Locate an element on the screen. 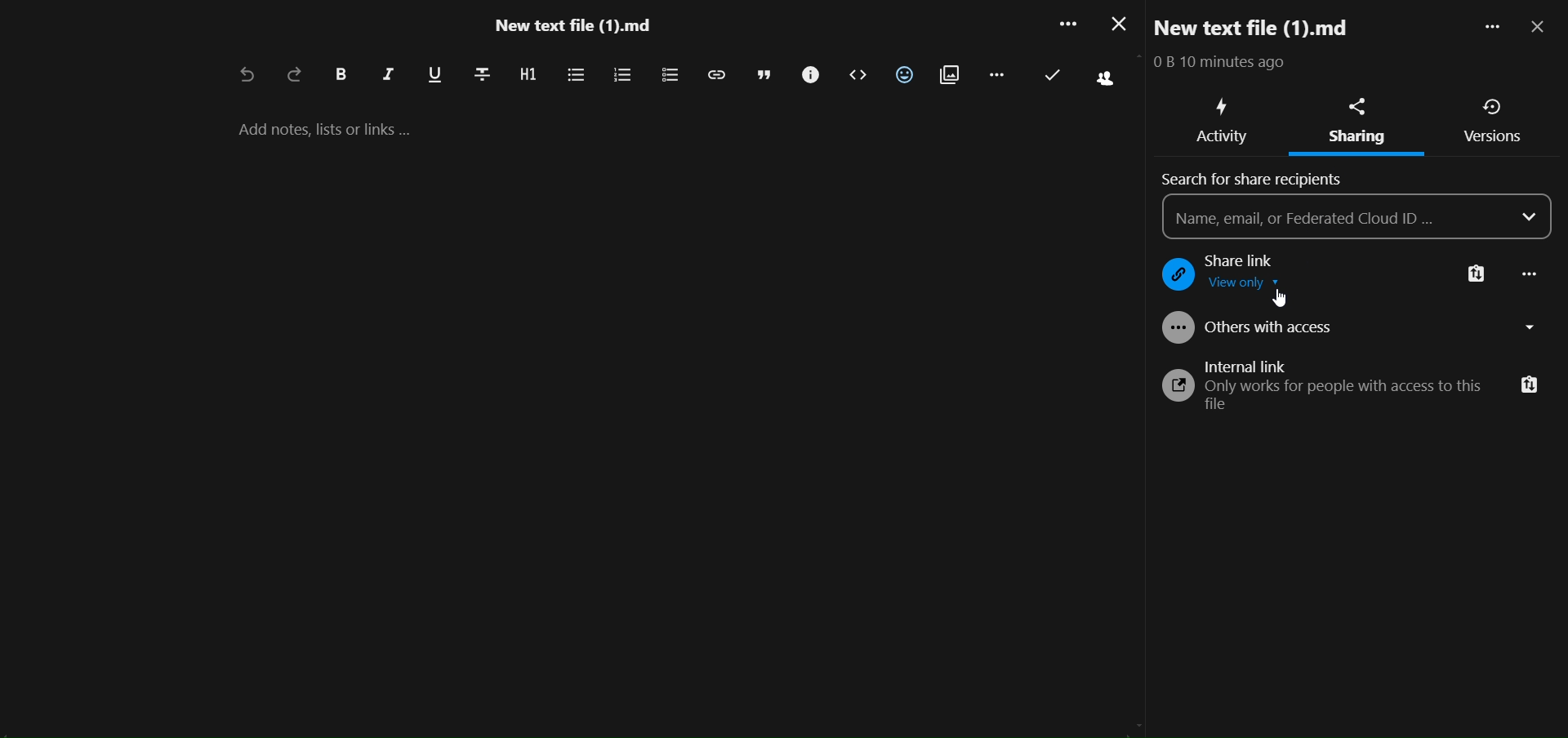 This screenshot has height=738, width=1568. close is located at coordinates (1115, 24).